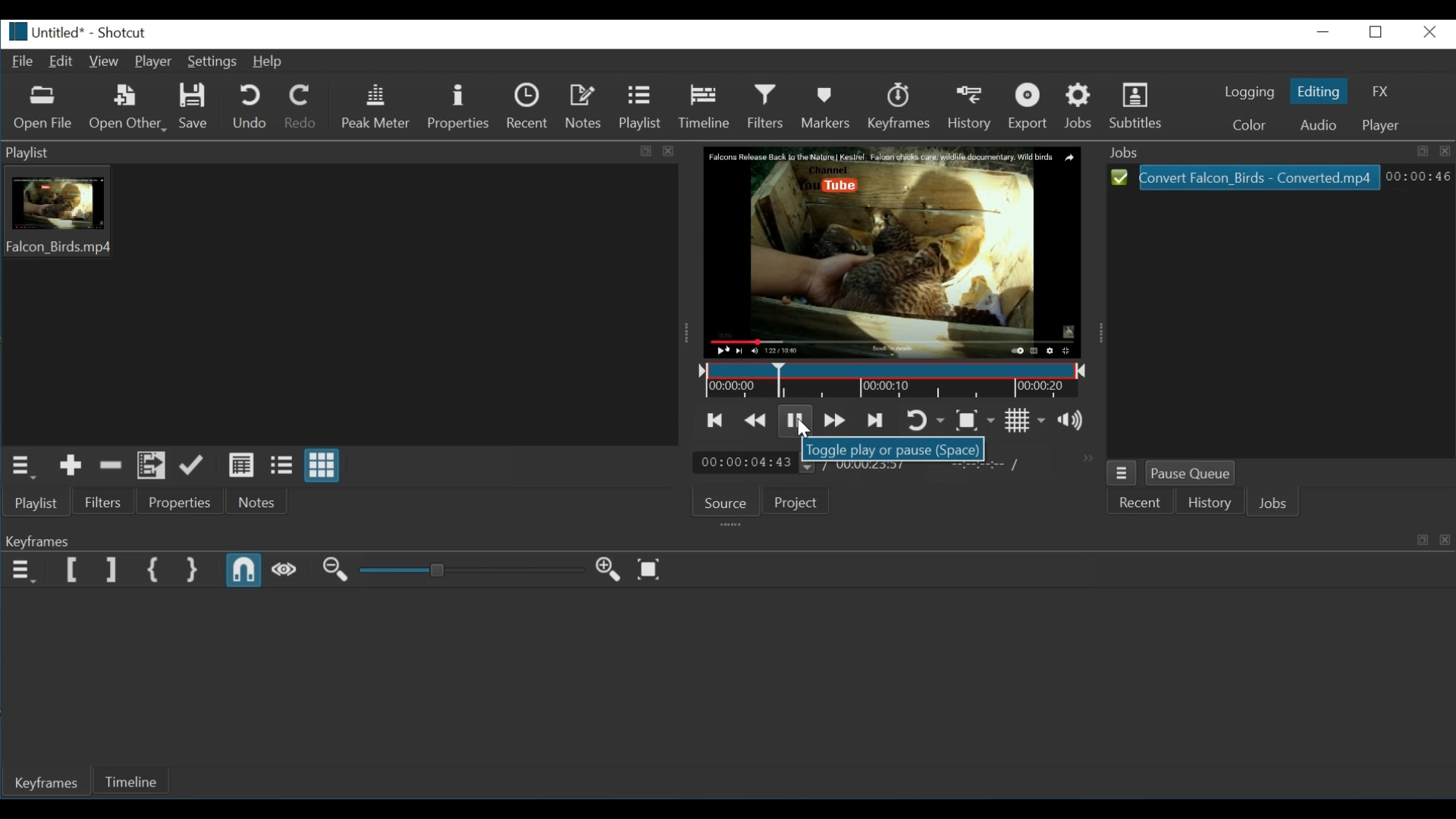 This screenshot has width=1456, height=819. Describe the element at coordinates (1209, 504) in the screenshot. I see `History` at that location.